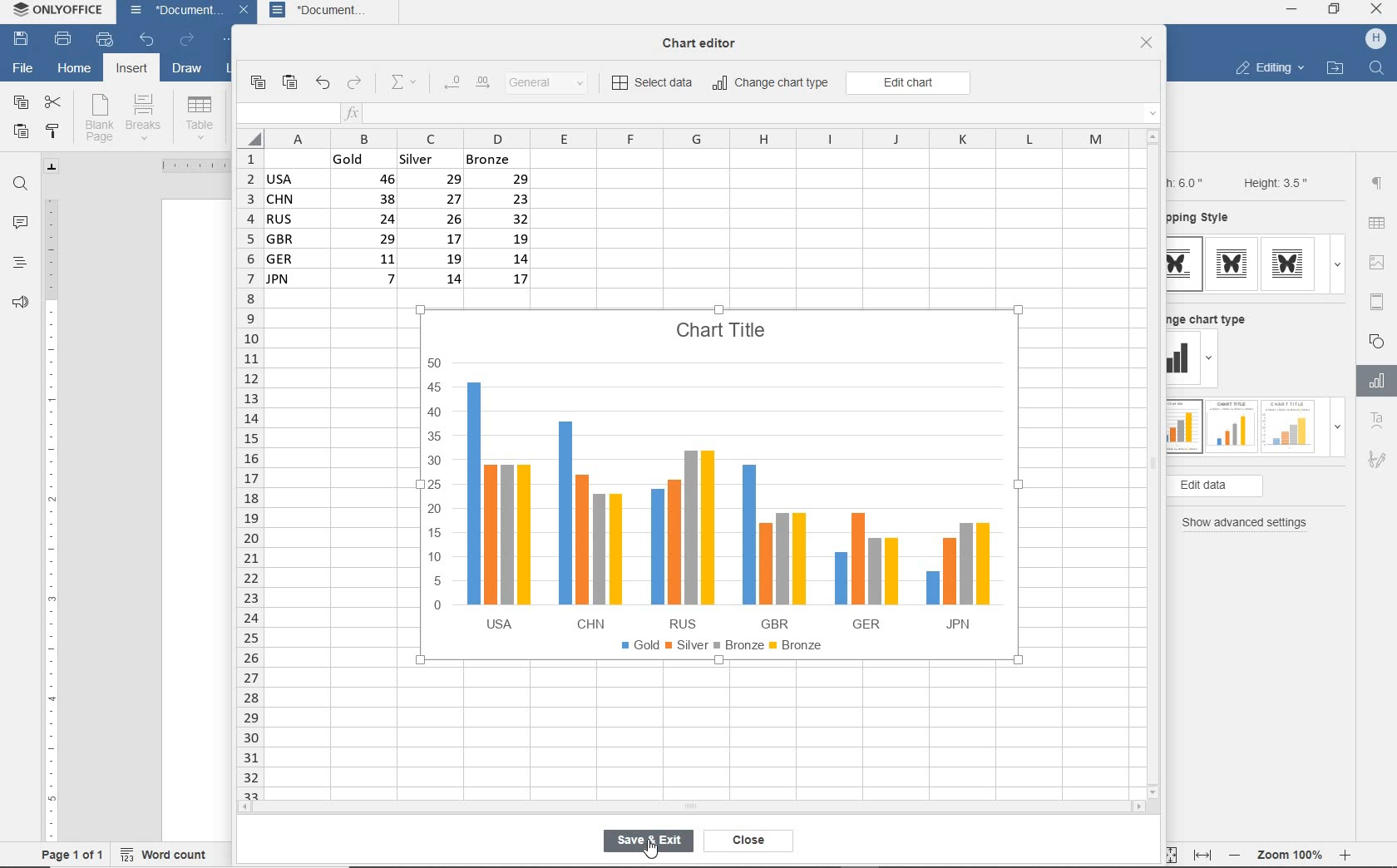  Describe the element at coordinates (99, 118) in the screenshot. I see `blank page` at that location.